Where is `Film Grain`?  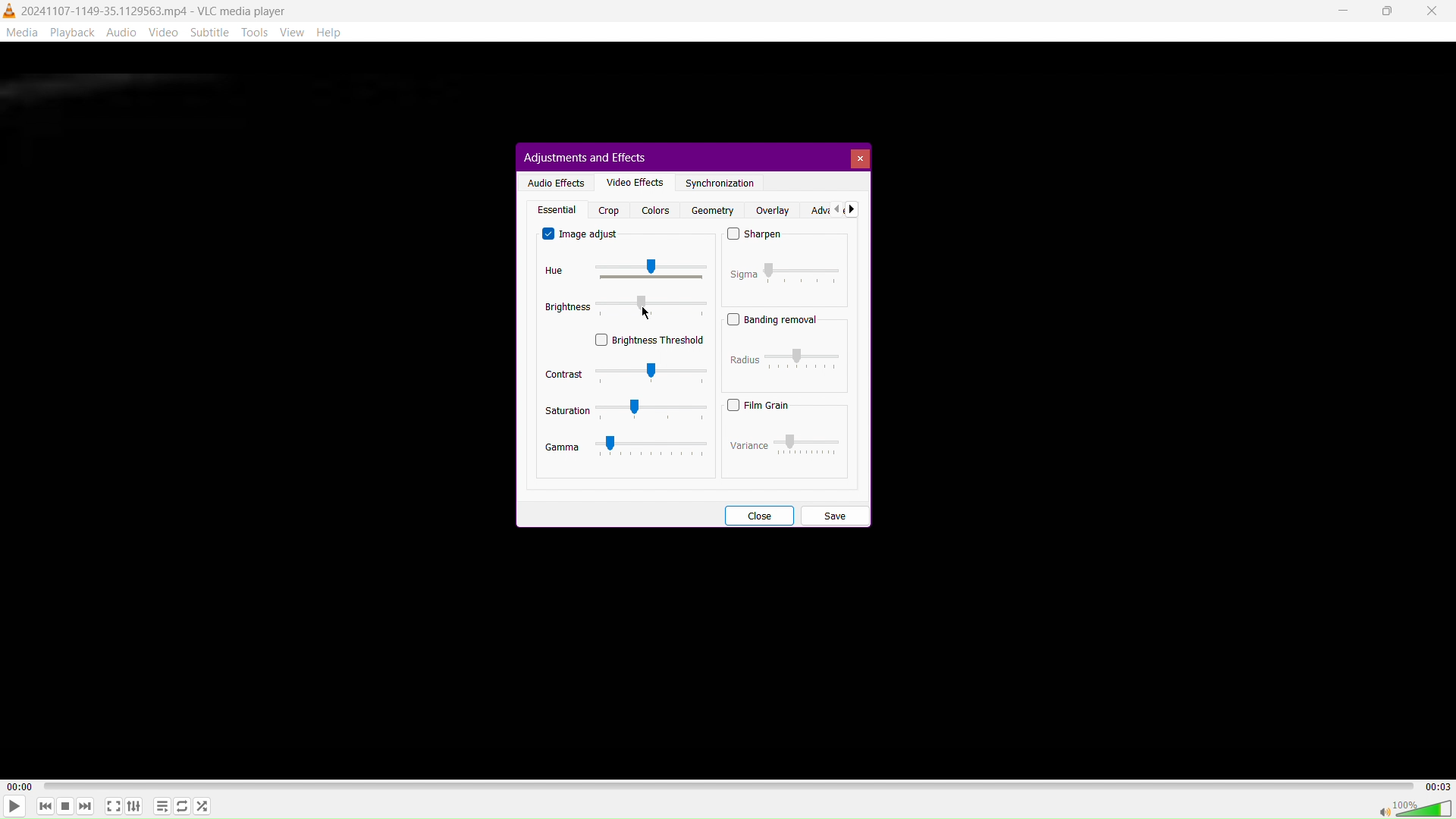
Film Grain is located at coordinates (758, 405).